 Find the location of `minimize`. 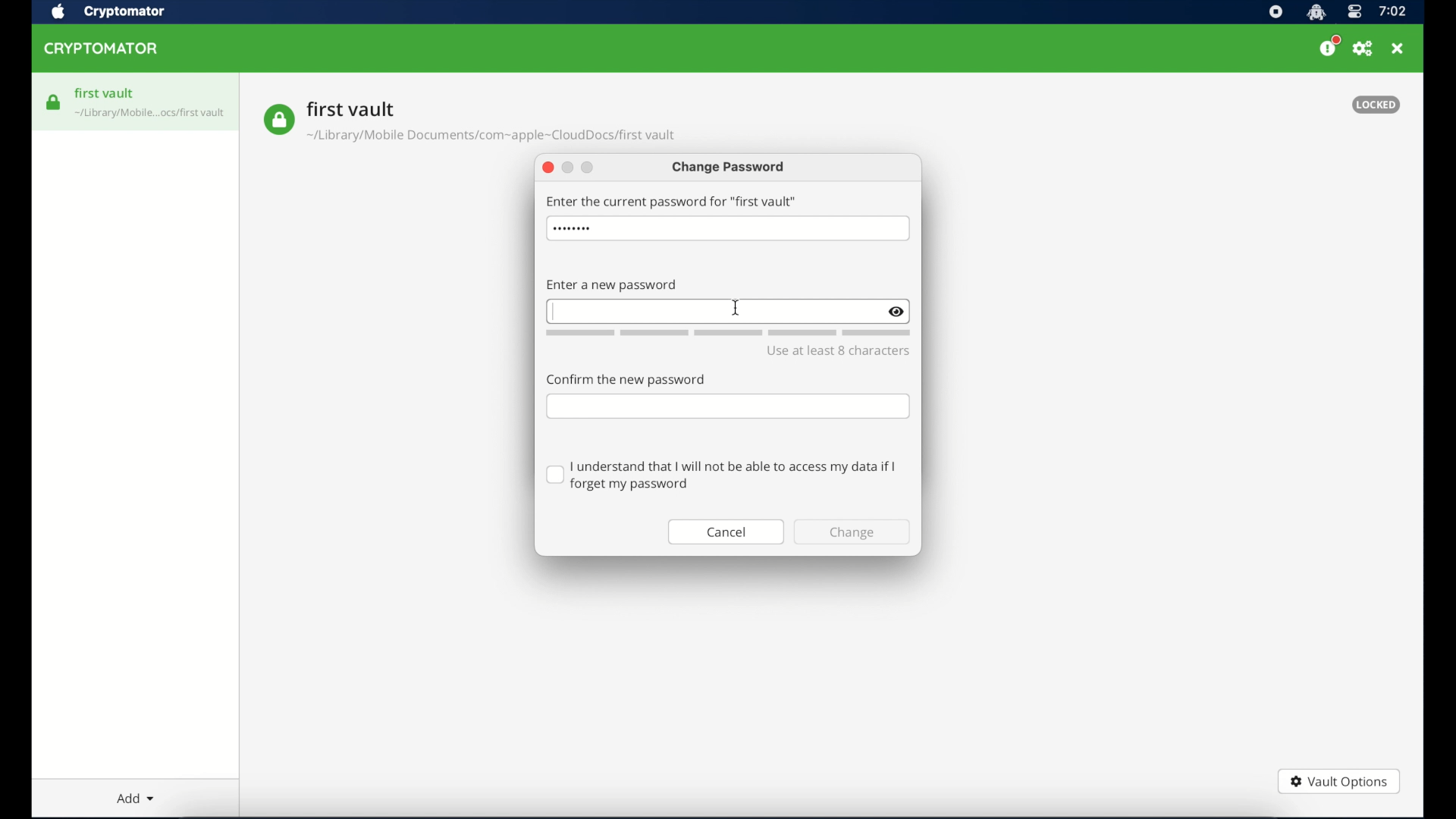

minimize is located at coordinates (569, 168).